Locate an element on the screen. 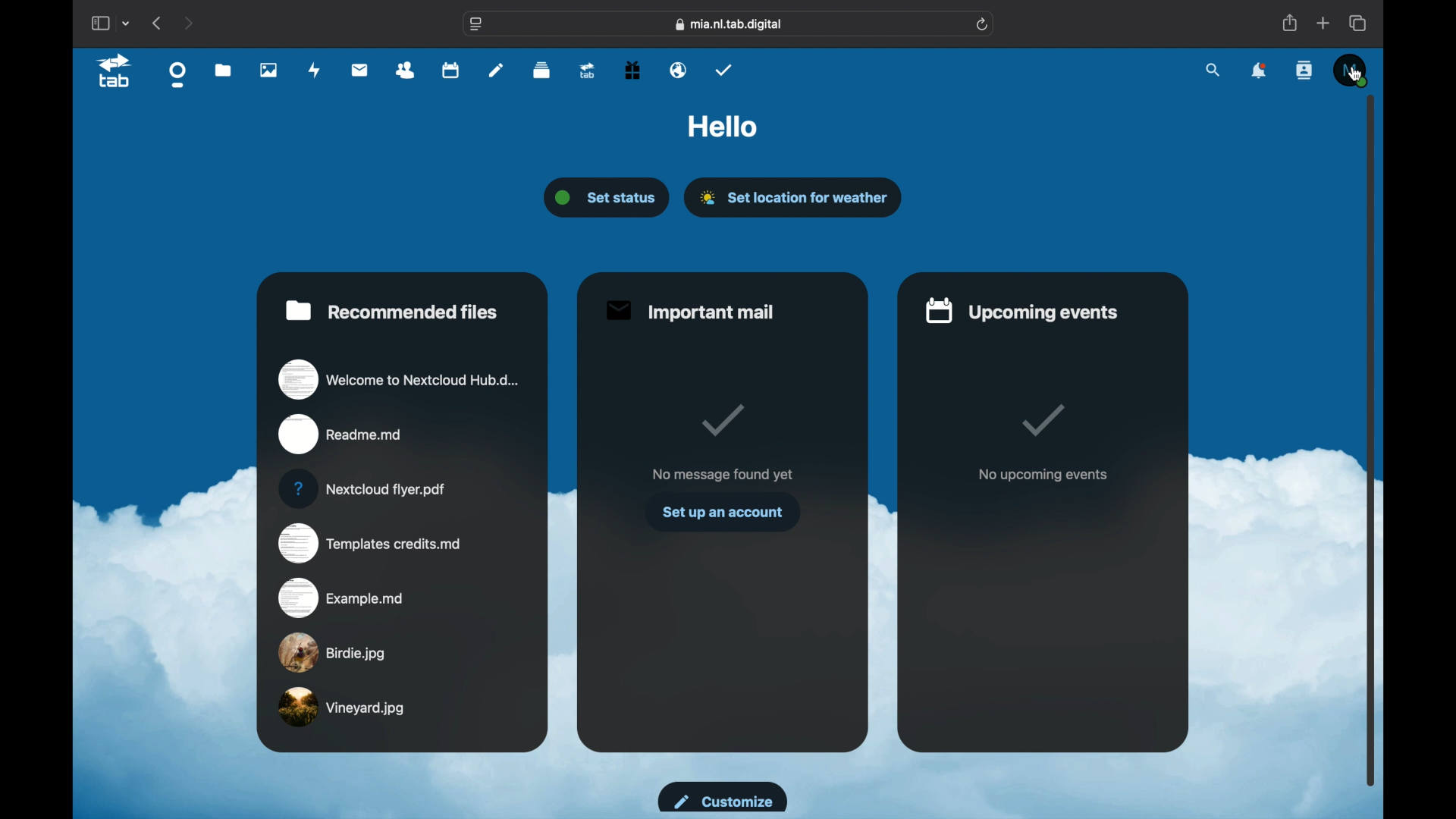 This screenshot has width=1456, height=819. web address is located at coordinates (730, 24).